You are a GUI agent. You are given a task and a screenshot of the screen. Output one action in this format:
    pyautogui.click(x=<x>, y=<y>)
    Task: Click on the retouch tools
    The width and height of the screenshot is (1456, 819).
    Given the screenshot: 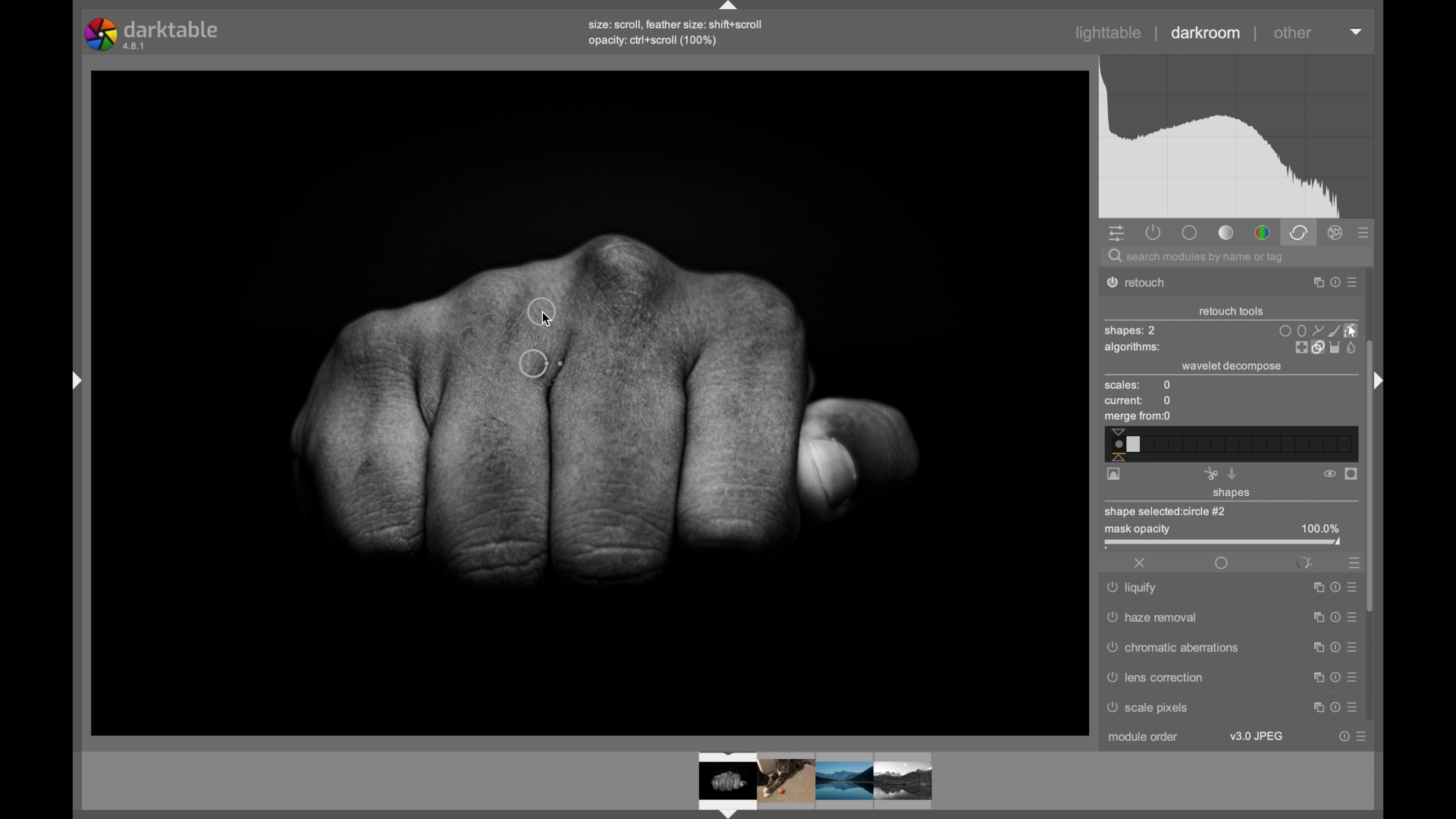 What is the action you would take?
    pyautogui.click(x=1232, y=312)
    